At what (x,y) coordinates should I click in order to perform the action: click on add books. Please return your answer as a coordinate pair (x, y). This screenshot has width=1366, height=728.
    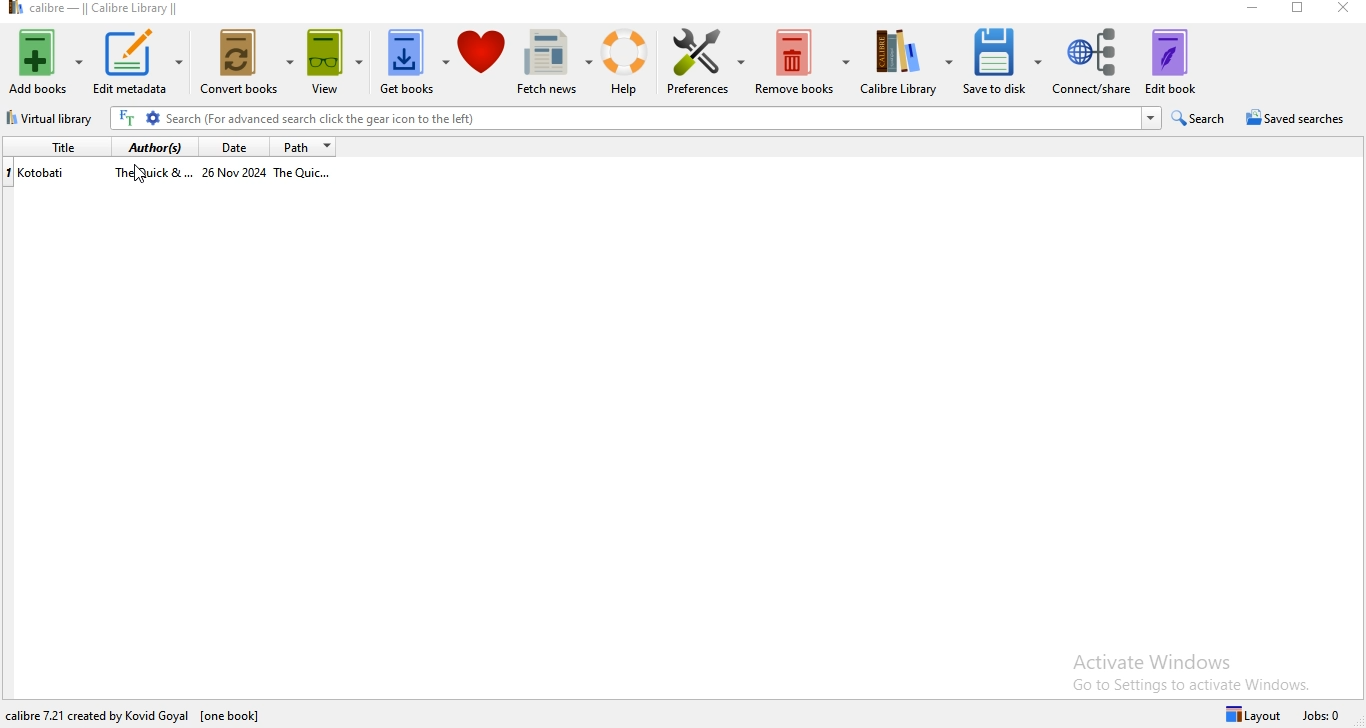
    Looking at the image, I should click on (46, 61).